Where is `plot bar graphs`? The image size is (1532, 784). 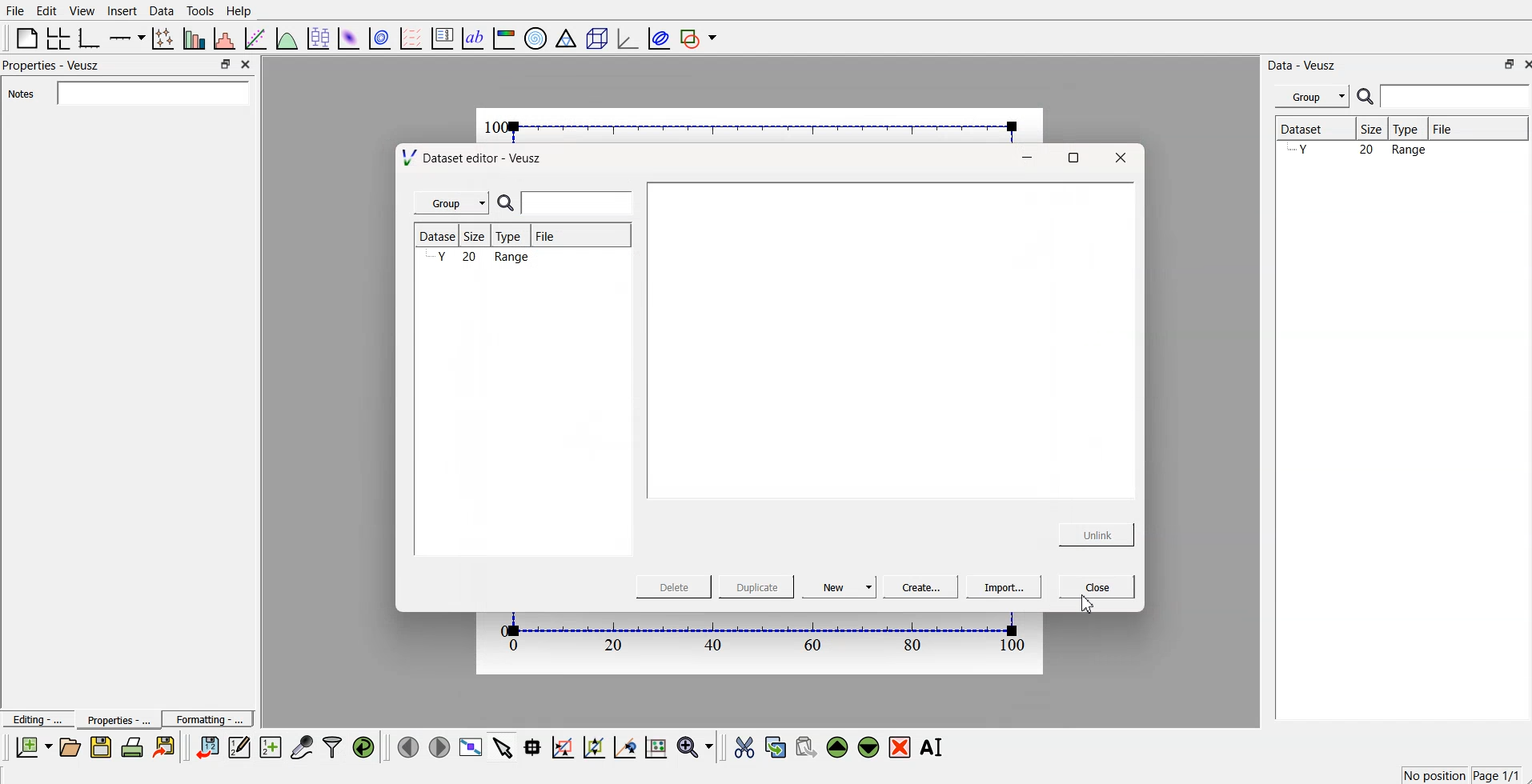
plot bar graphs is located at coordinates (195, 38).